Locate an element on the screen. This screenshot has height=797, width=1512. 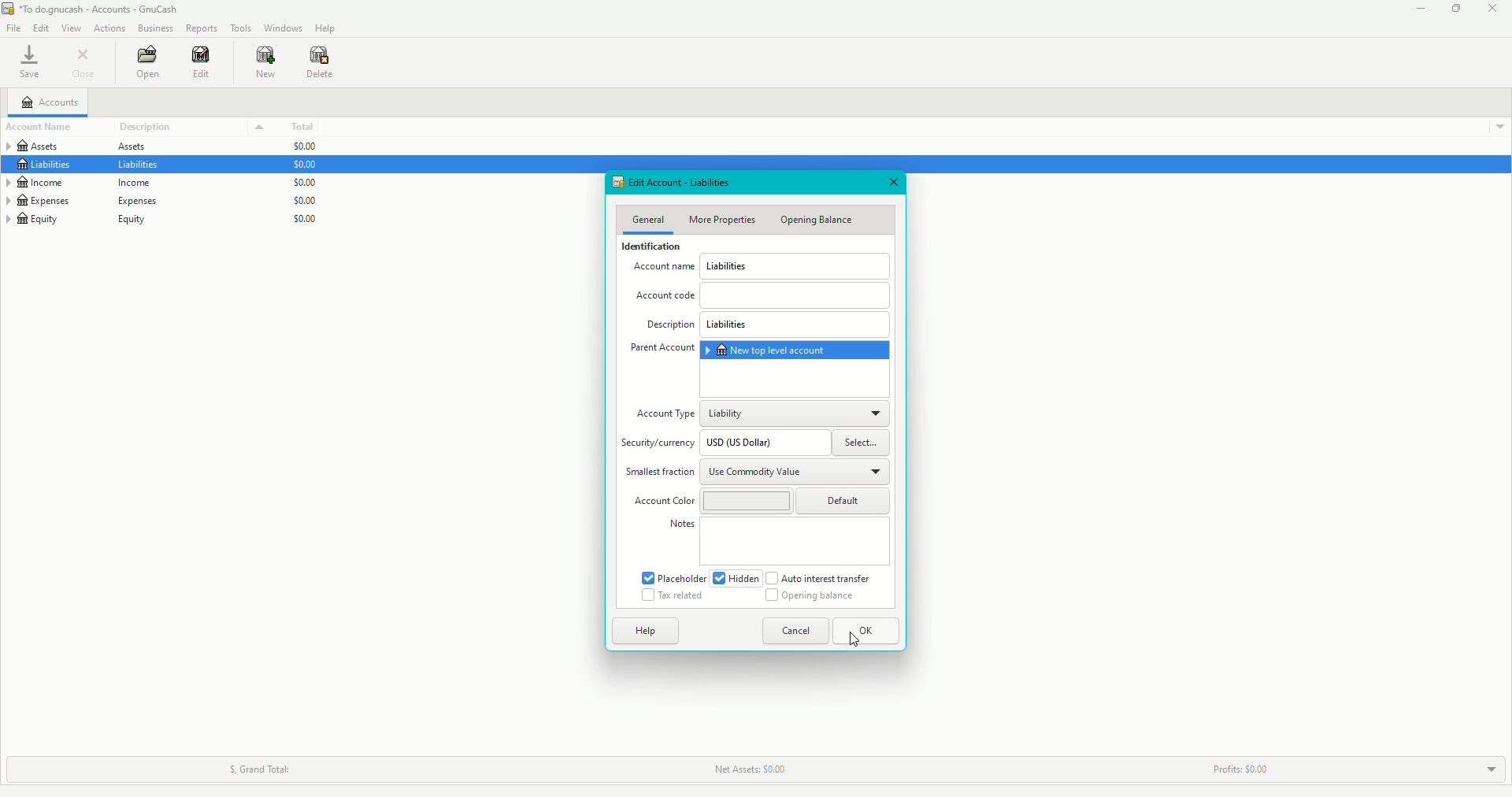
Placeholder is located at coordinates (674, 578).